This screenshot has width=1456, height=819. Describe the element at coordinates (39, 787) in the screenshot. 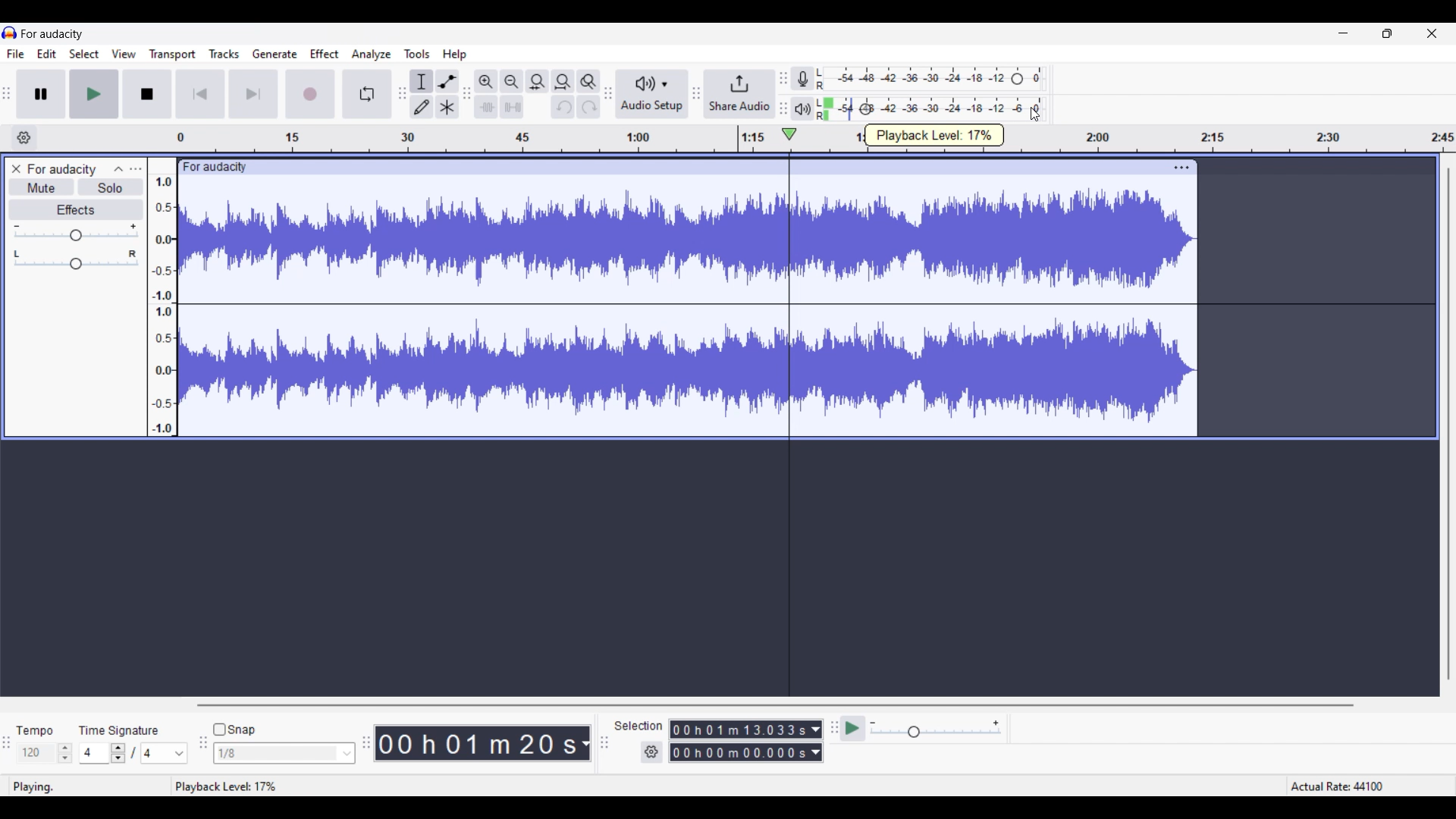

I see `playing` at that location.